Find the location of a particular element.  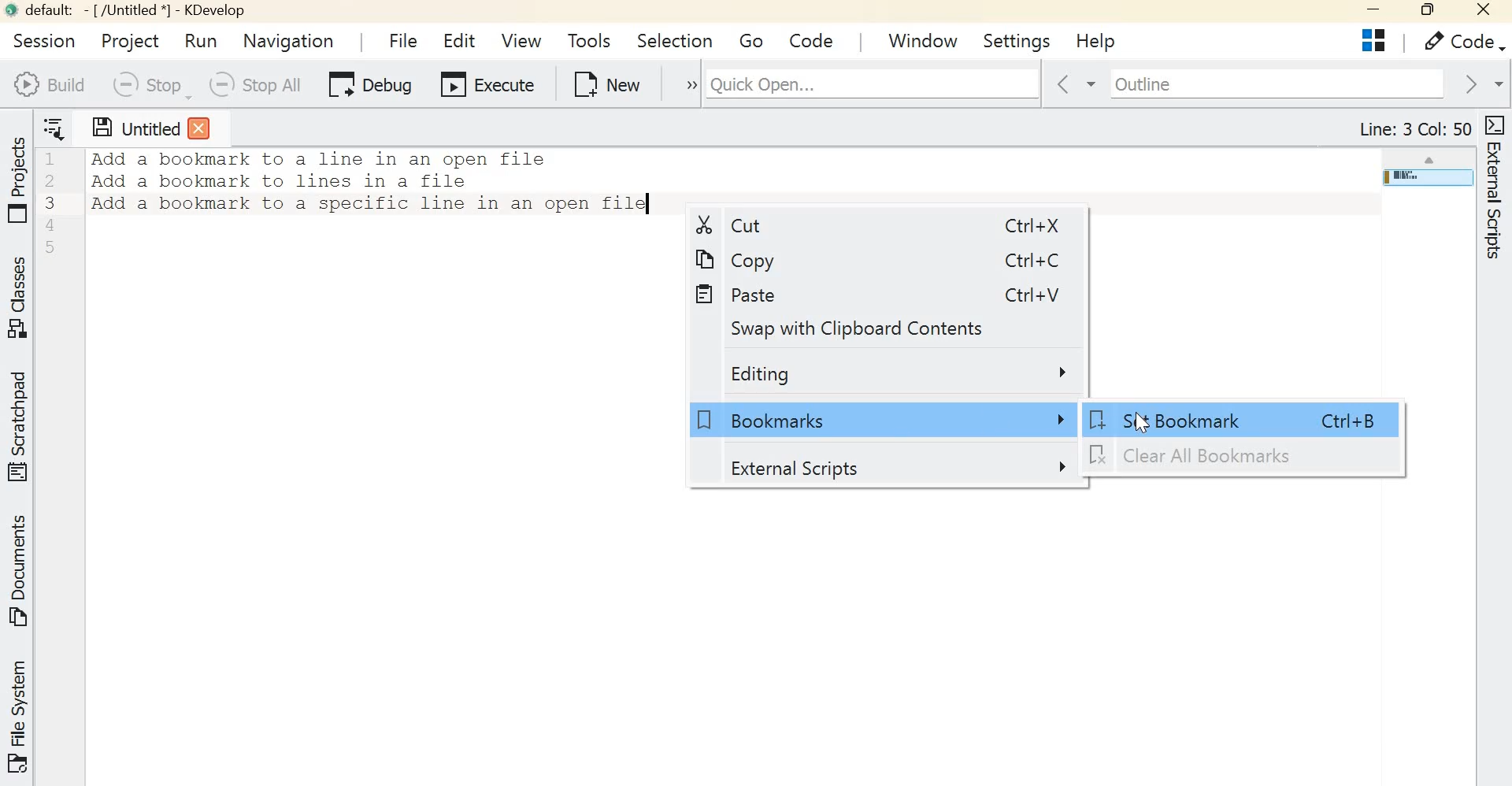

Clear all bookmarks is located at coordinates (1198, 457).